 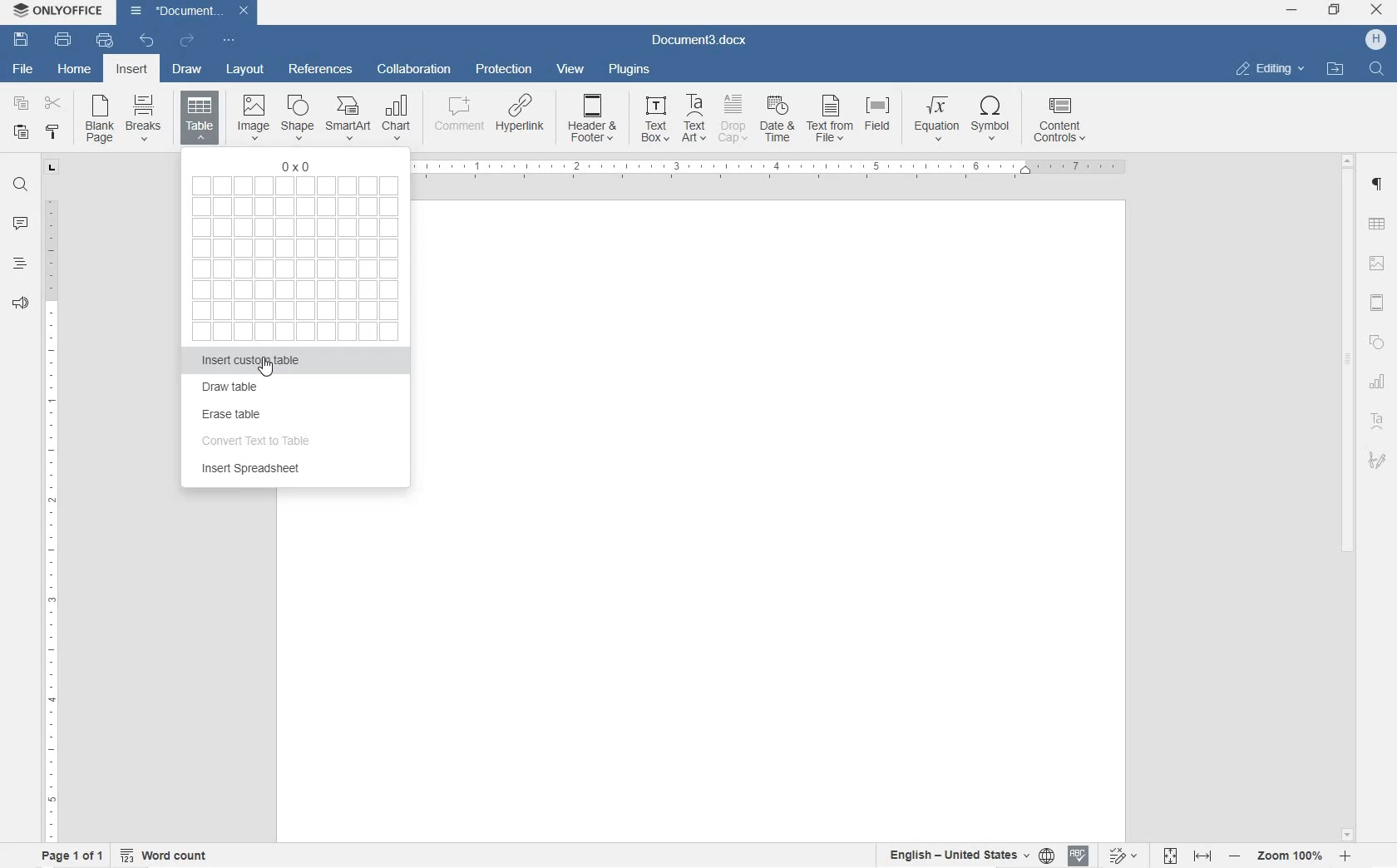 What do you see at coordinates (234, 413) in the screenshot?
I see `erase table` at bounding box center [234, 413].